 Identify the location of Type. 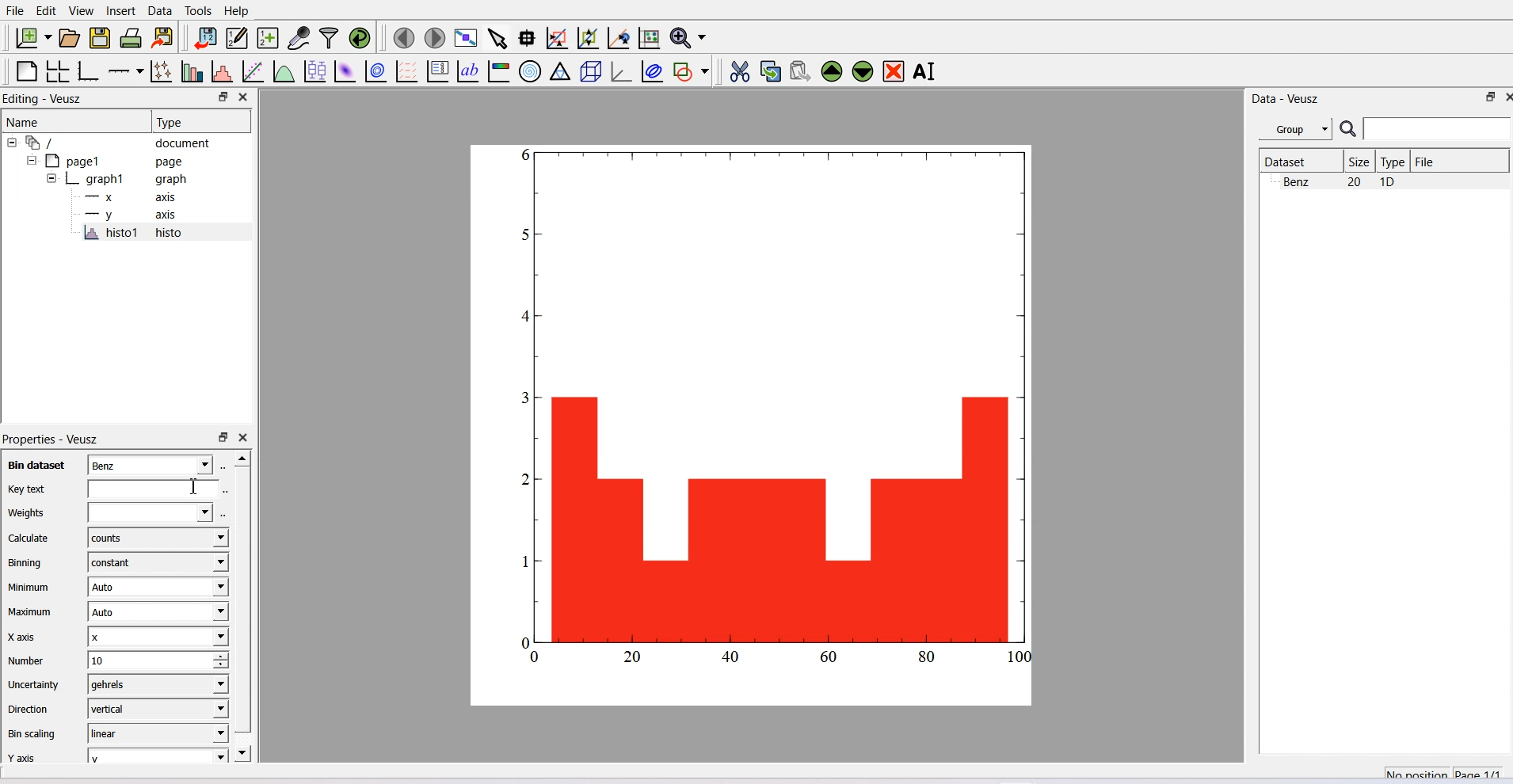
(1394, 161).